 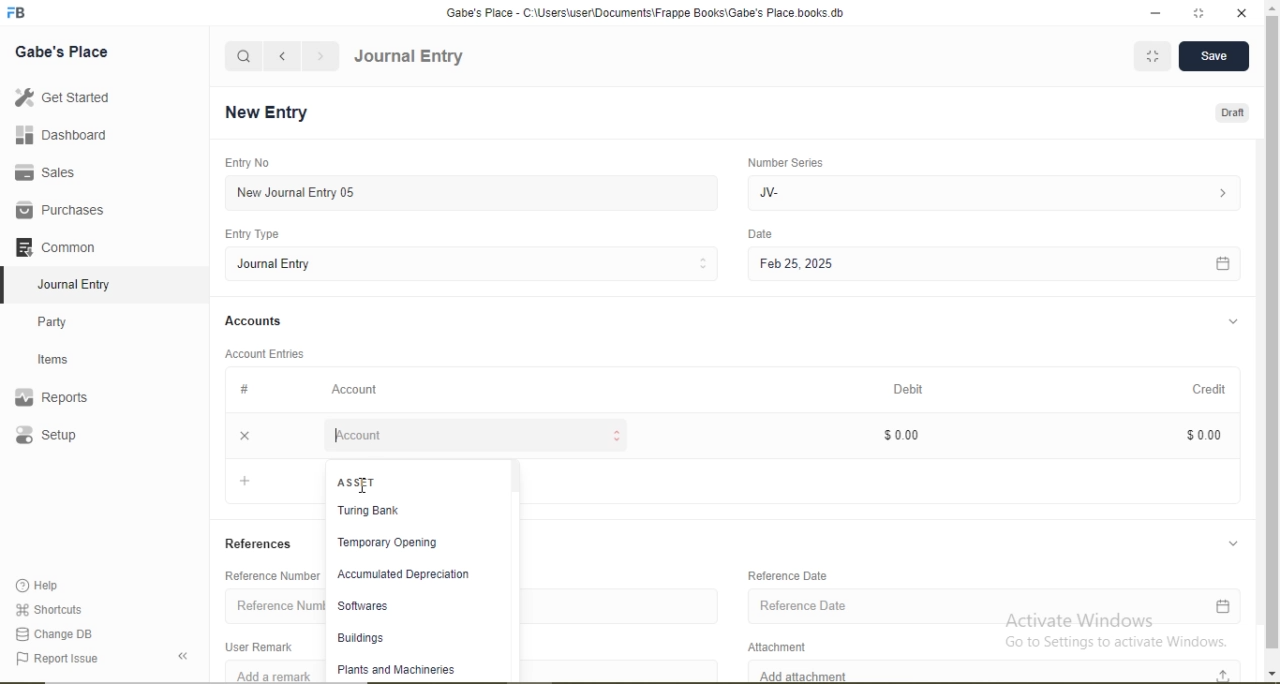 What do you see at coordinates (409, 57) in the screenshot?
I see `Journal Entry` at bounding box center [409, 57].